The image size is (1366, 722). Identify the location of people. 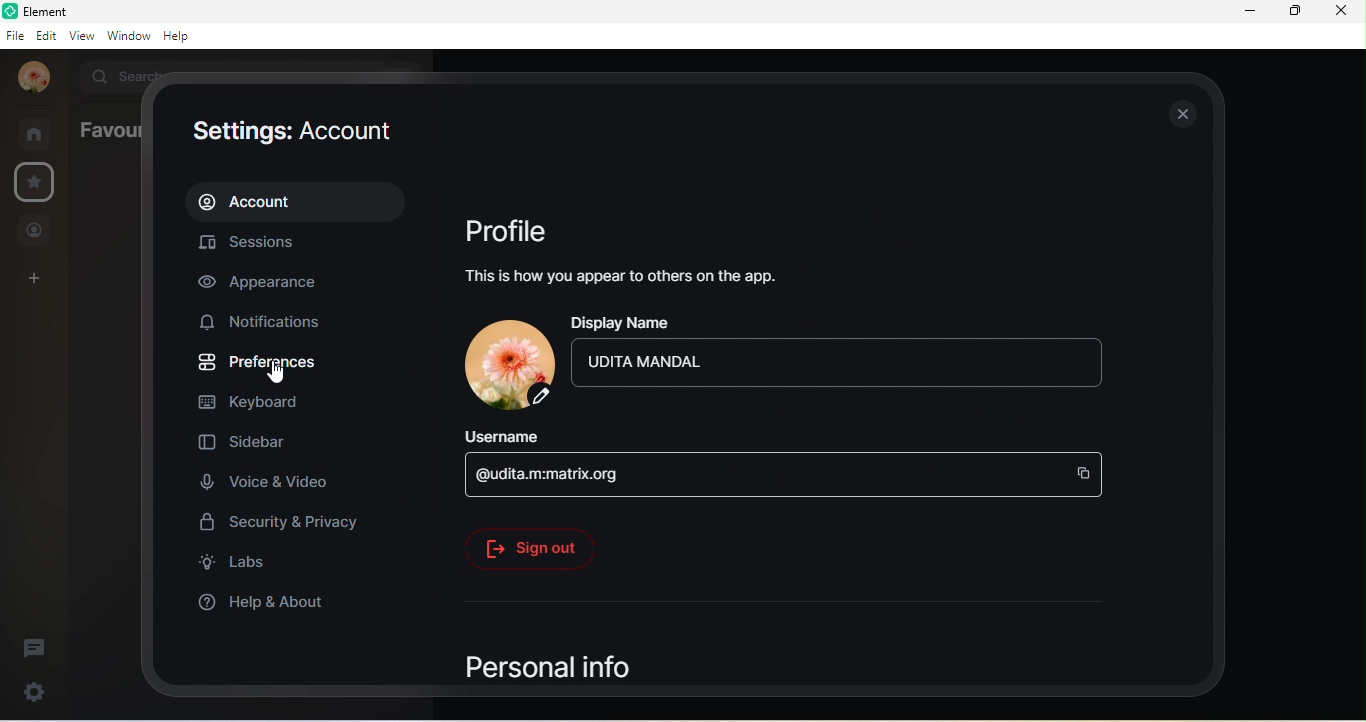
(37, 230).